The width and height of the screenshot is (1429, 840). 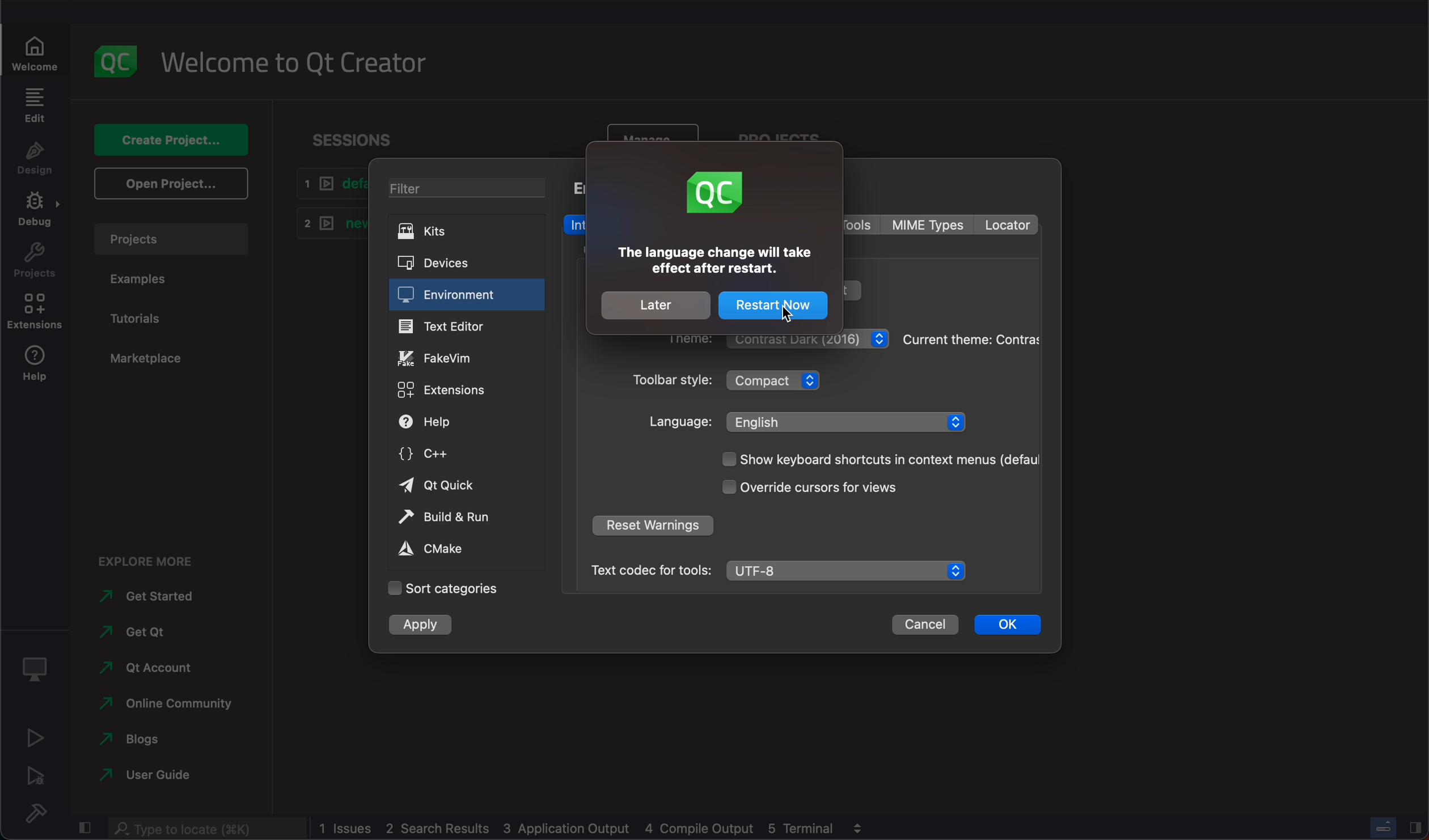 What do you see at coordinates (34, 105) in the screenshot?
I see `edit` at bounding box center [34, 105].